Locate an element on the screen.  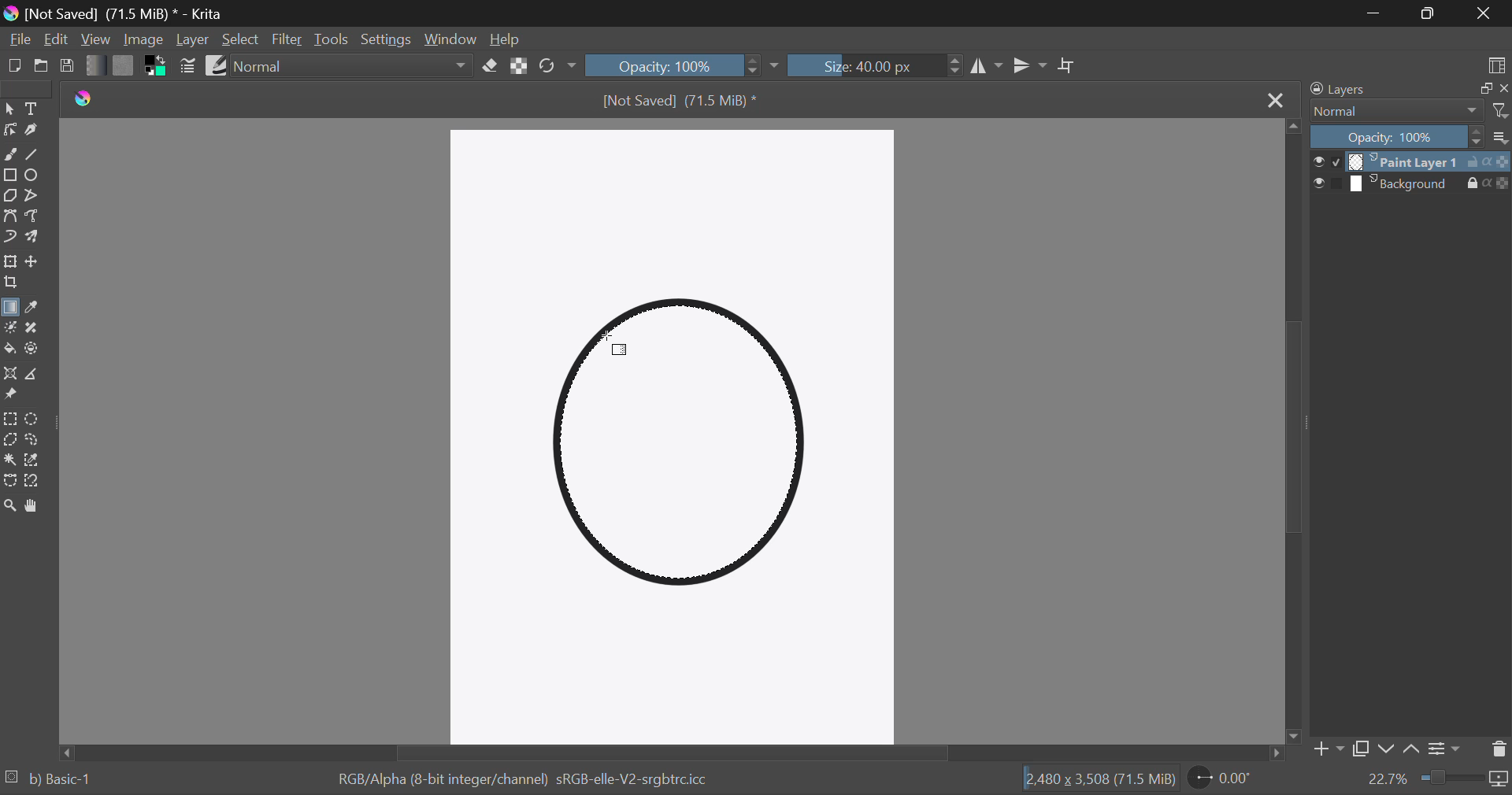
Brush Settings is located at coordinates (188, 67).